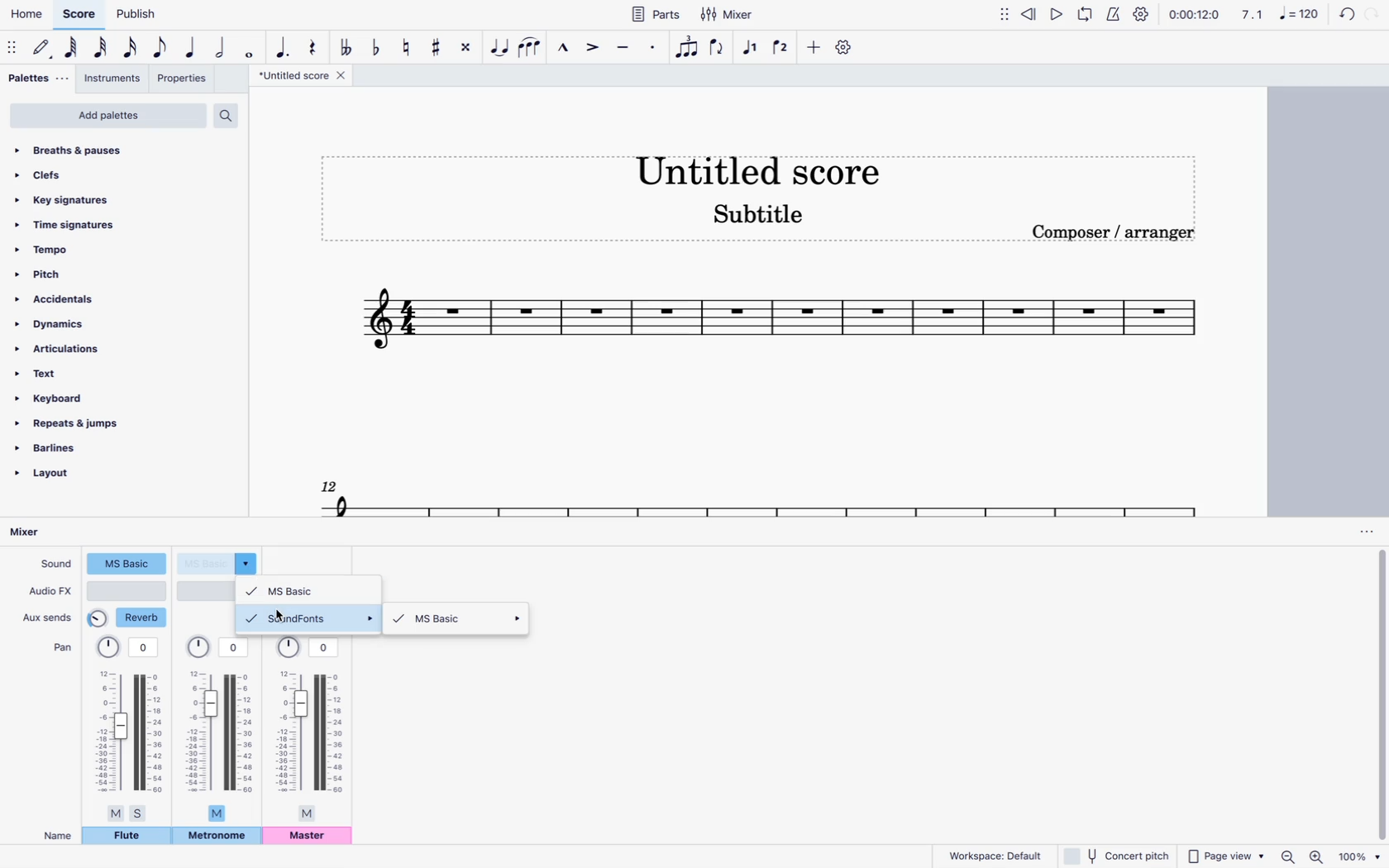 The image size is (1389, 868). What do you see at coordinates (741, 494) in the screenshot?
I see `score` at bounding box center [741, 494].